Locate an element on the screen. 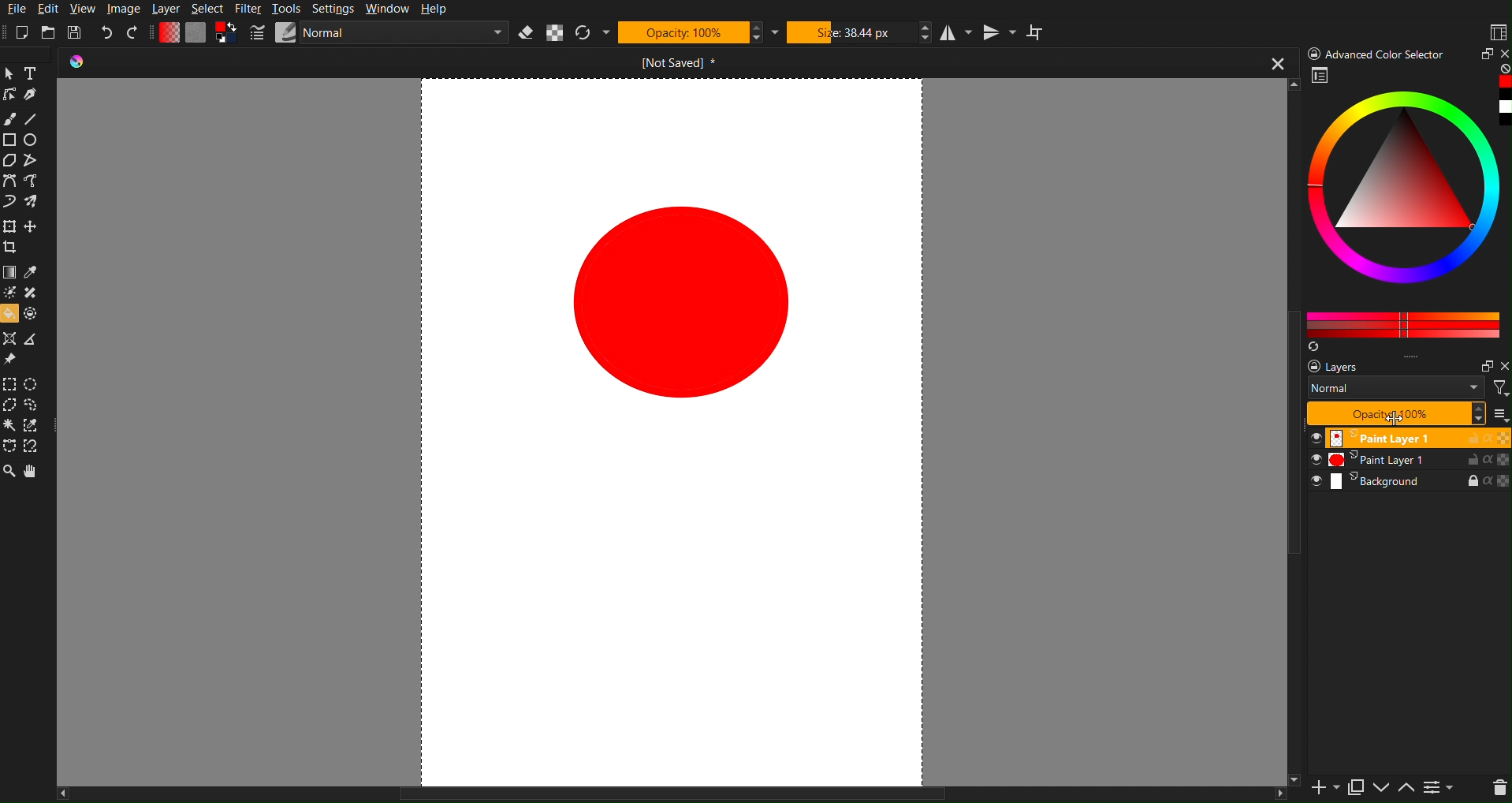 The image size is (1512, 803). Help is located at coordinates (437, 9).